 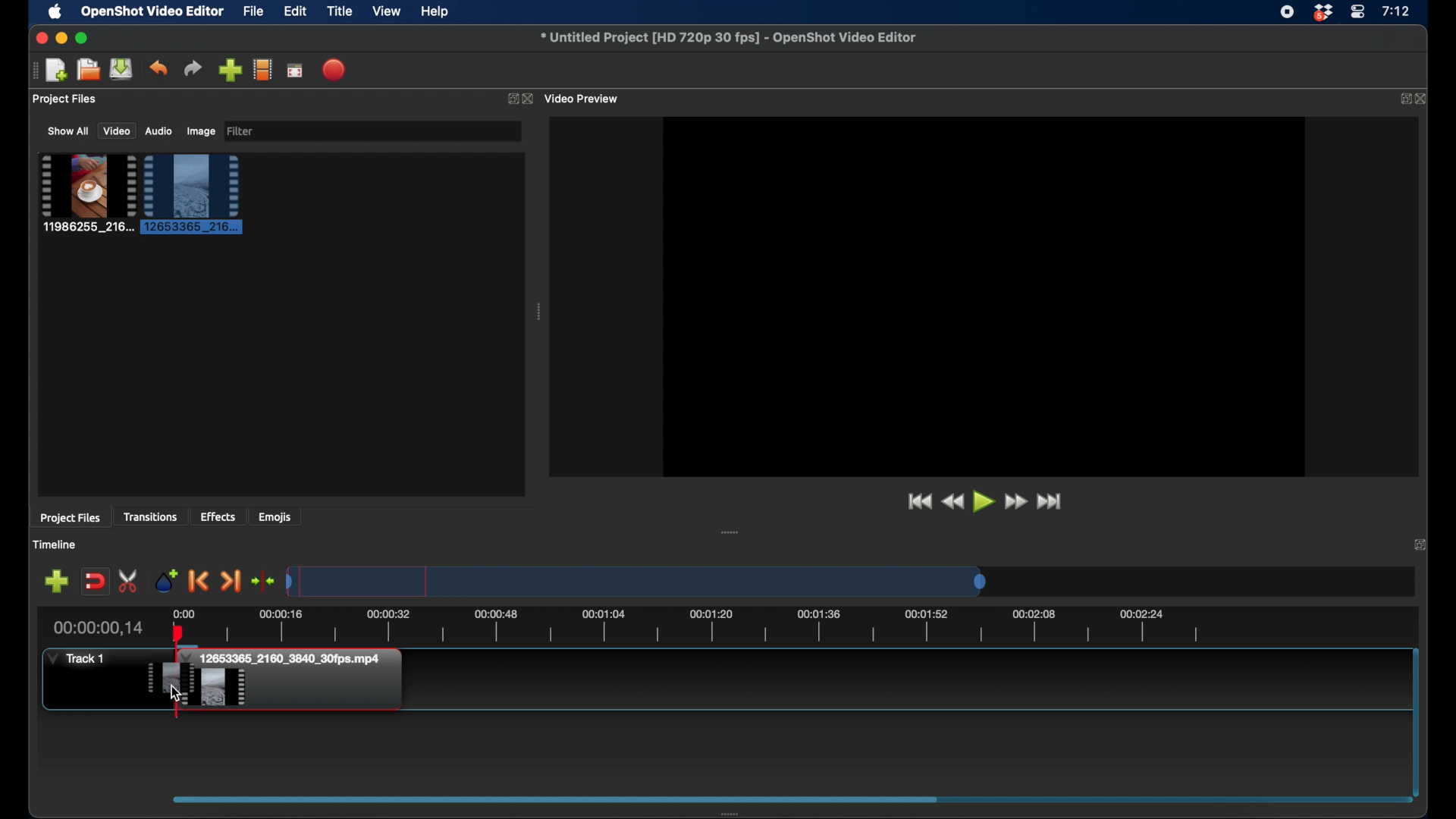 What do you see at coordinates (86, 193) in the screenshot?
I see `clip` at bounding box center [86, 193].